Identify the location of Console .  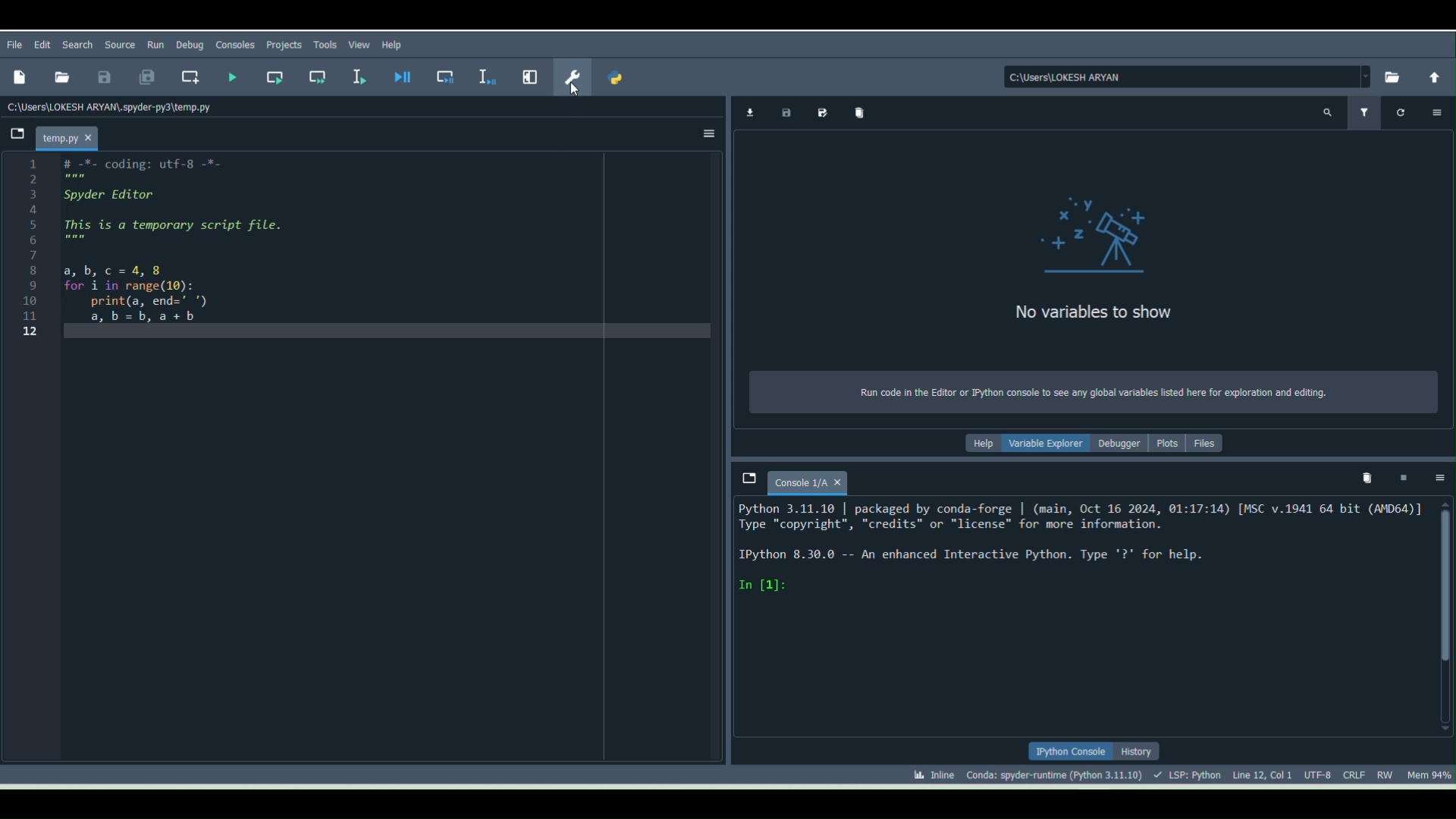
(810, 480).